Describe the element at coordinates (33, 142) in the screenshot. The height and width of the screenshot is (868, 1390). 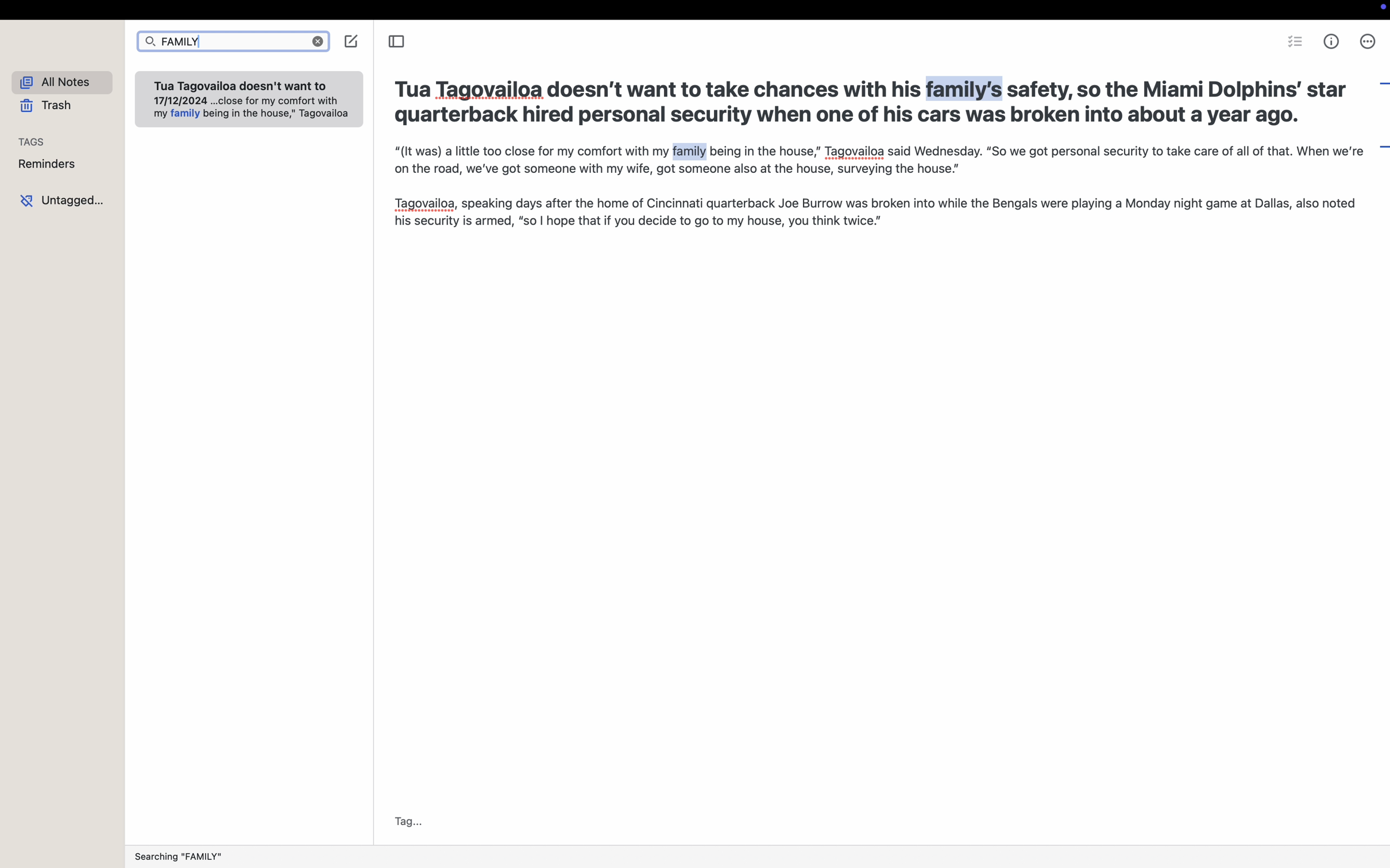
I see `tags` at that location.